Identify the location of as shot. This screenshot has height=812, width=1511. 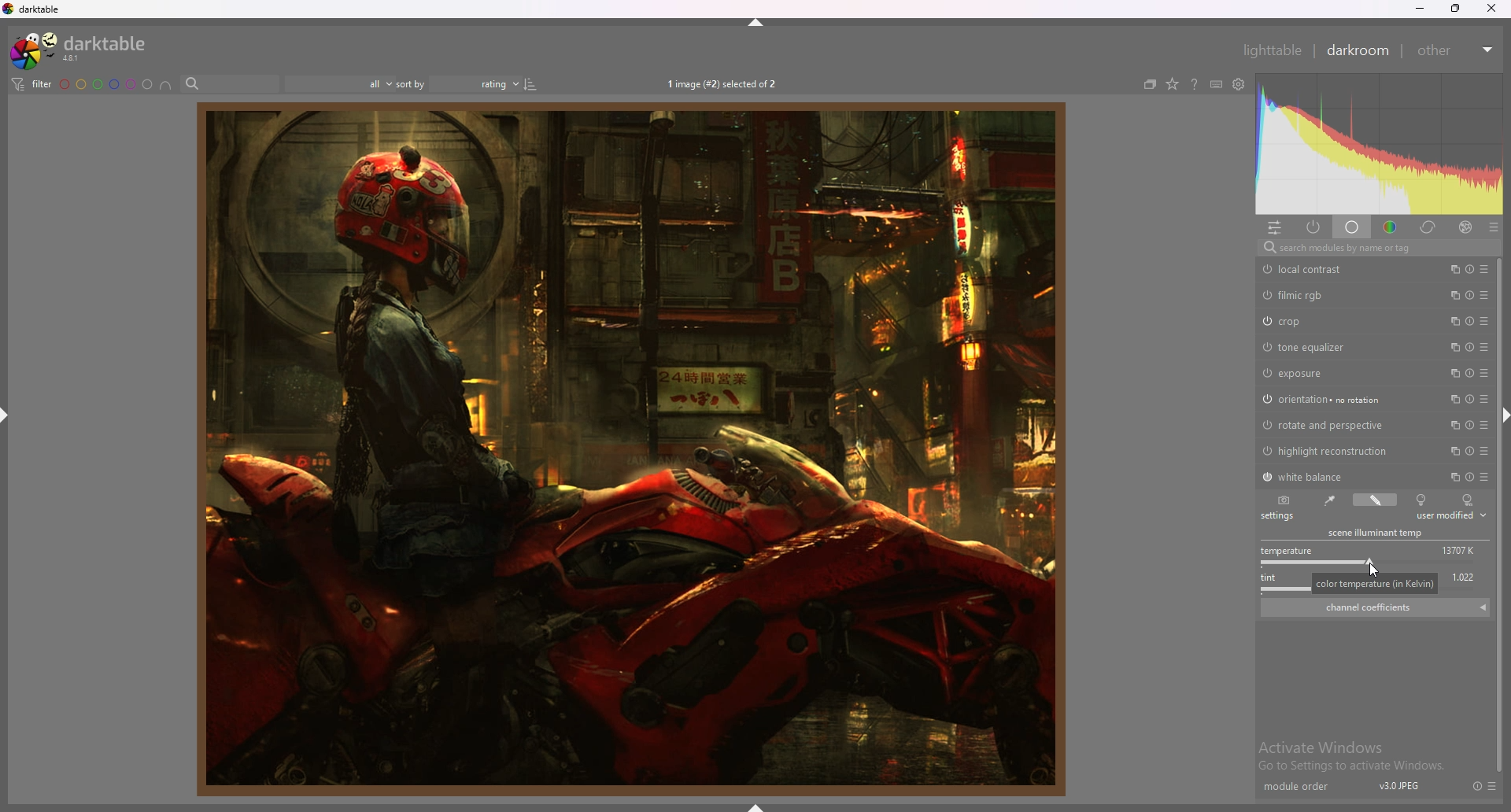
(1284, 500).